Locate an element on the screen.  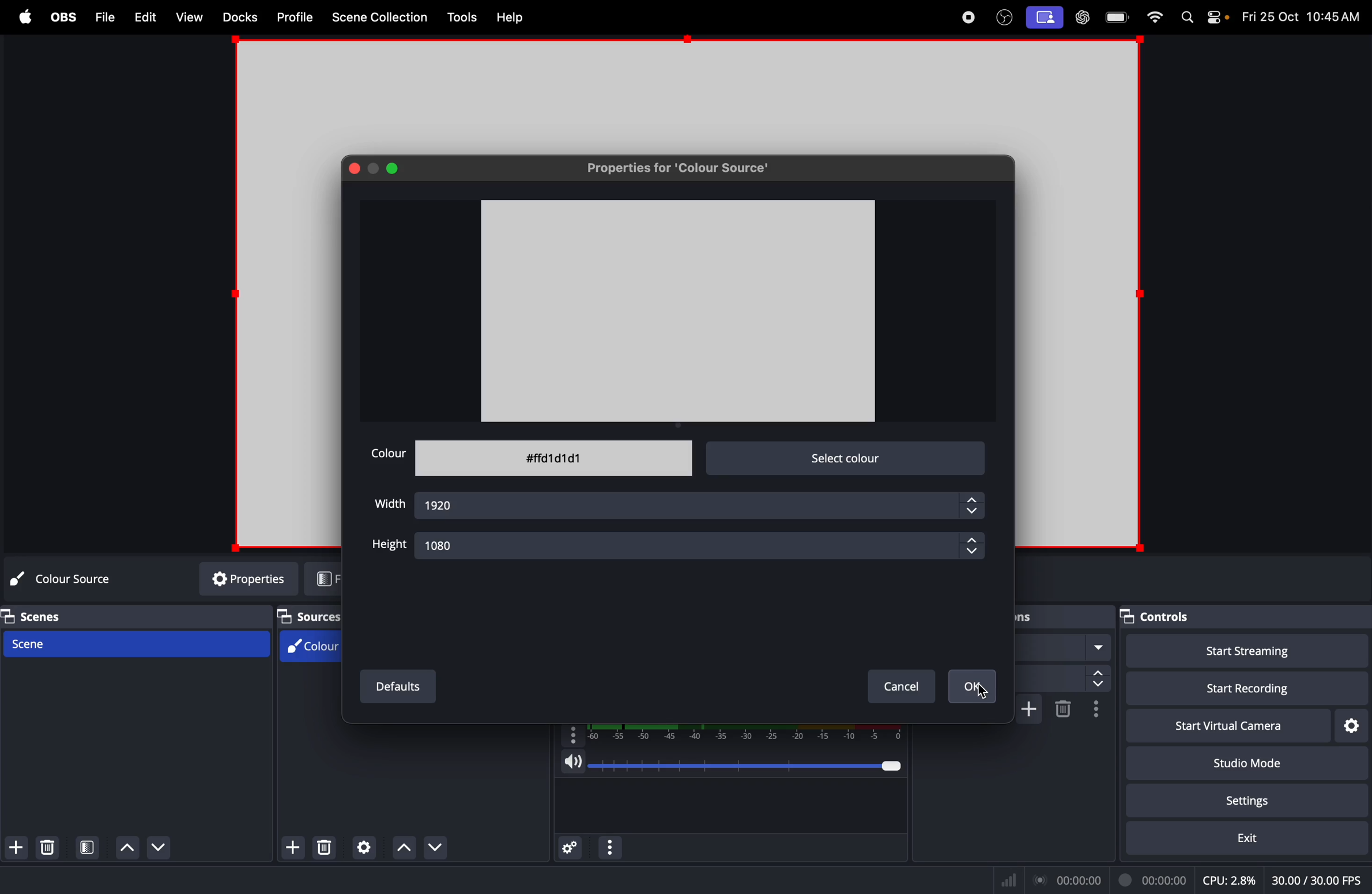
Edit is located at coordinates (145, 16).